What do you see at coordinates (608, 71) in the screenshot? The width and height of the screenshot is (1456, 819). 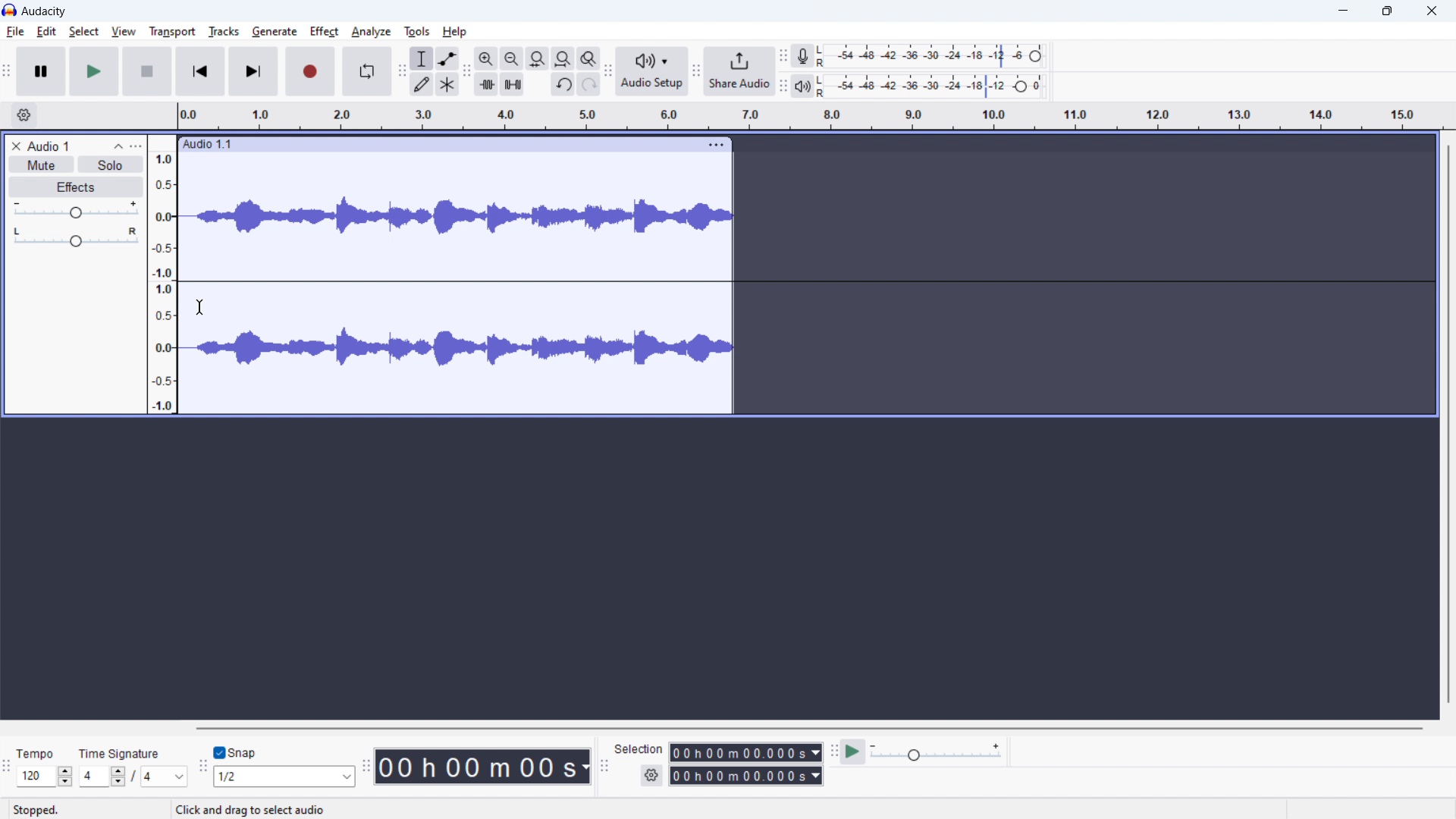 I see `audio setup toolbar` at bounding box center [608, 71].